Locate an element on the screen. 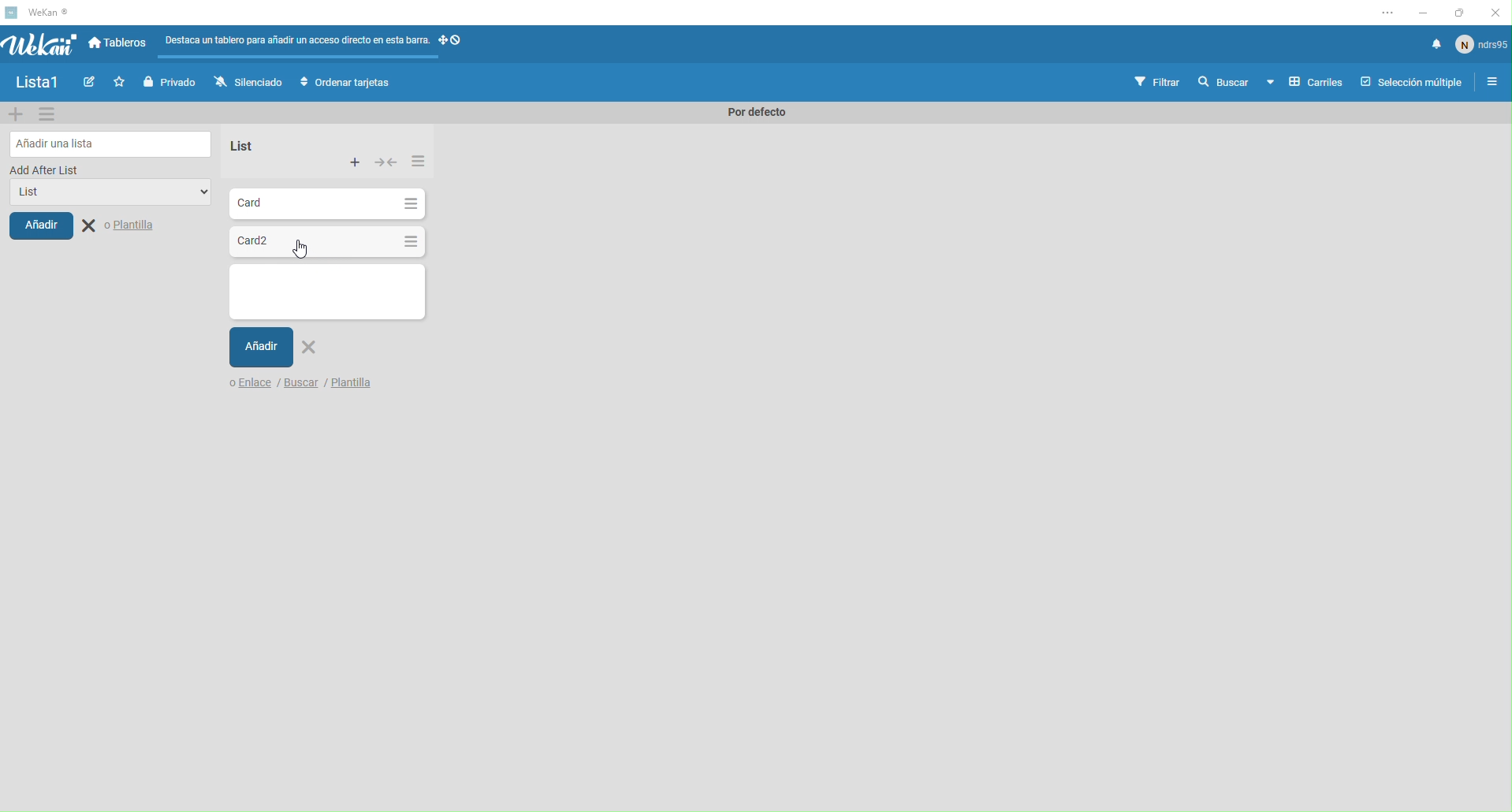  lista1 is located at coordinates (36, 84).